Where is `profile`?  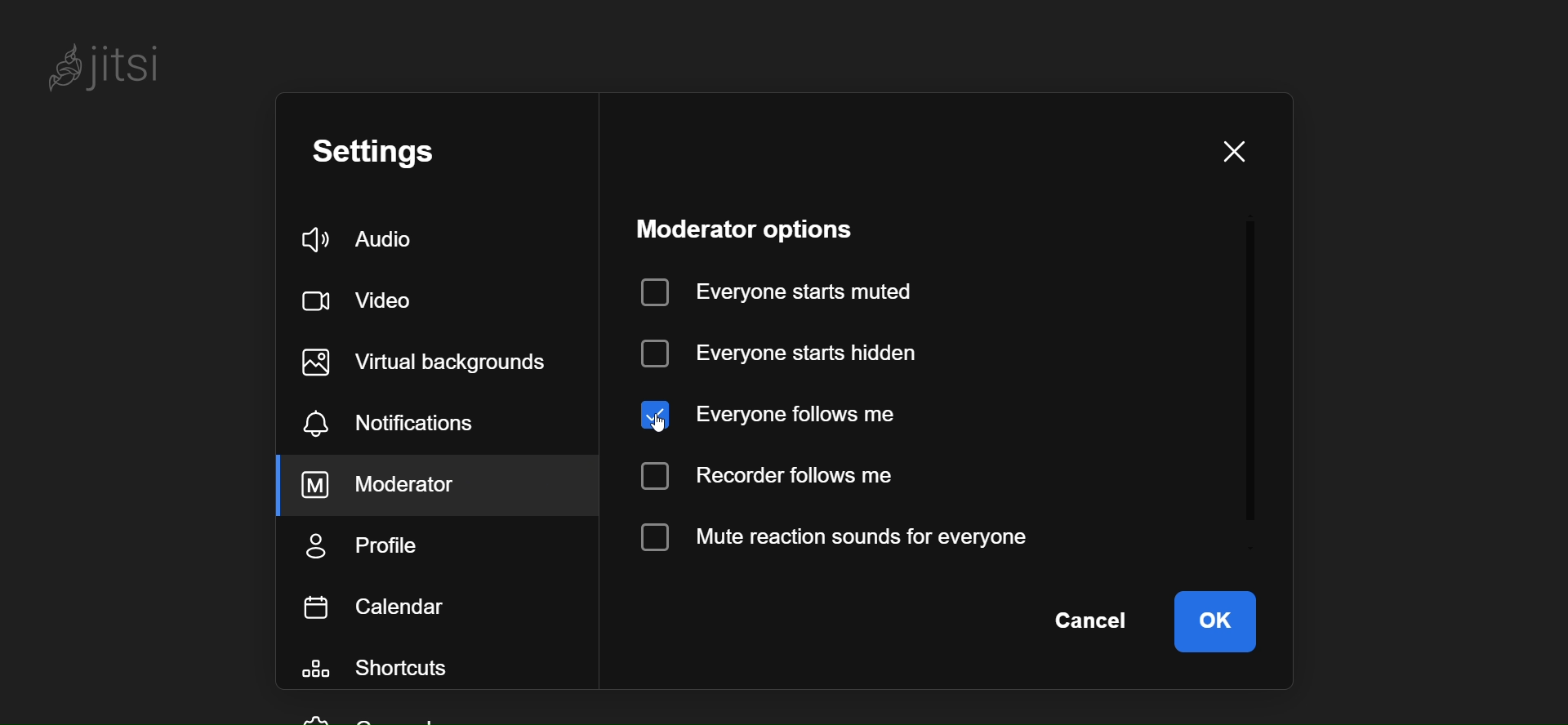
profile is located at coordinates (365, 547).